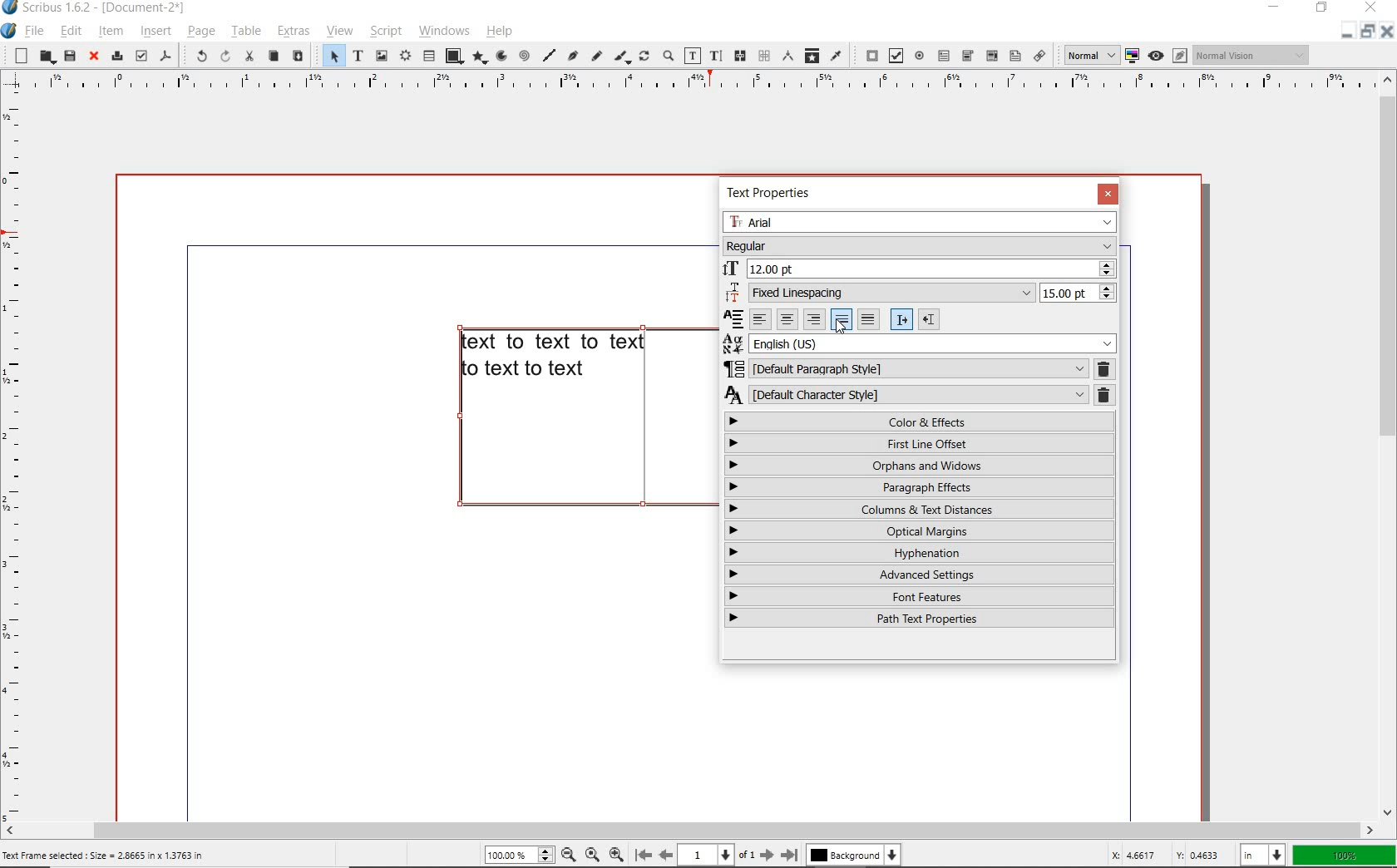 The height and width of the screenshot is (868, 1397). Describe the element at coordinates (643, 57) in the screenshot. I see `rotate item` at that location.